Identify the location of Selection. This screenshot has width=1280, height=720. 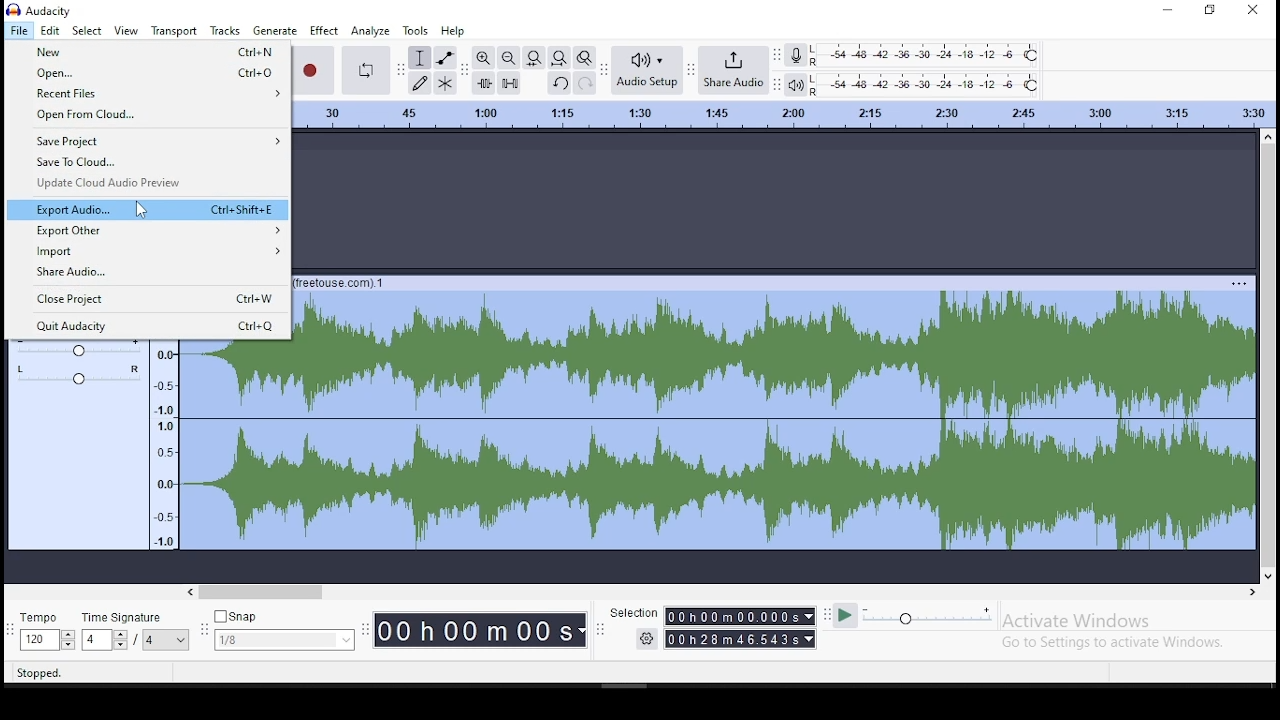
(634, 612).